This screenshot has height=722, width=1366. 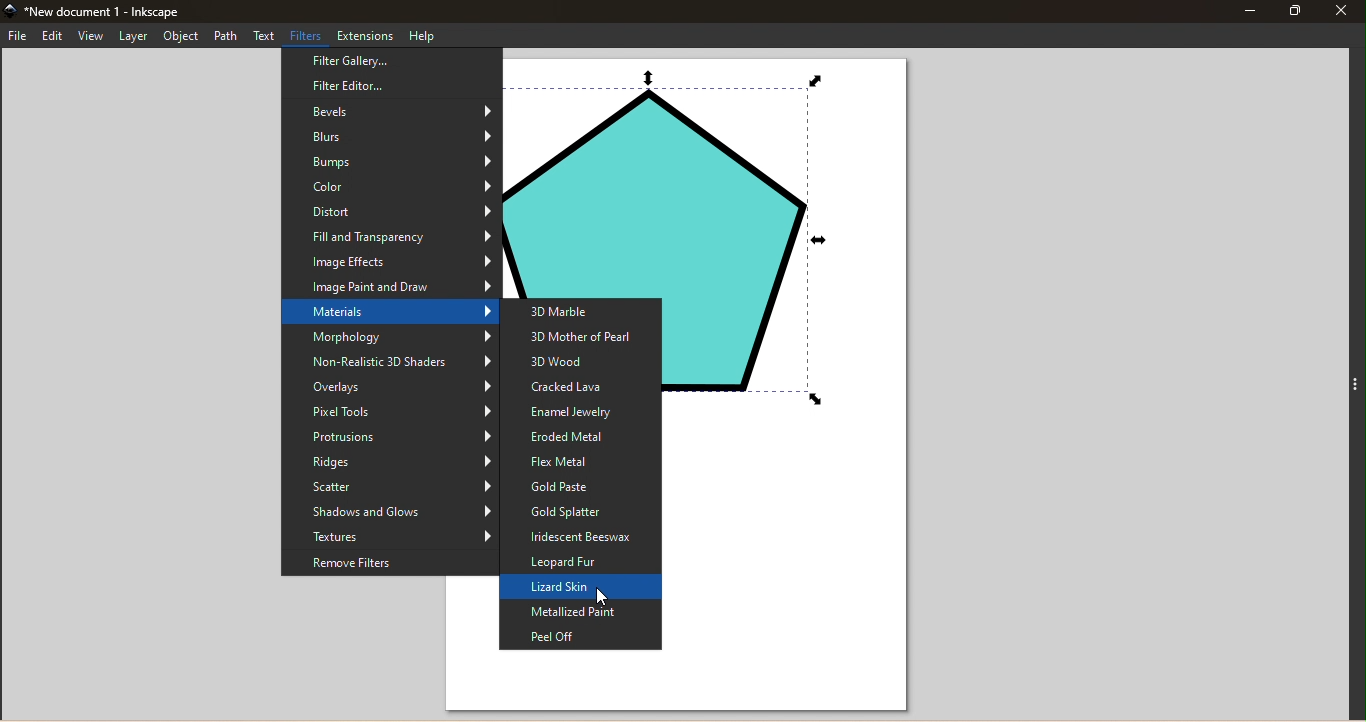 I want to click on Iridescent Beeswax, so click(x=581, y=538).